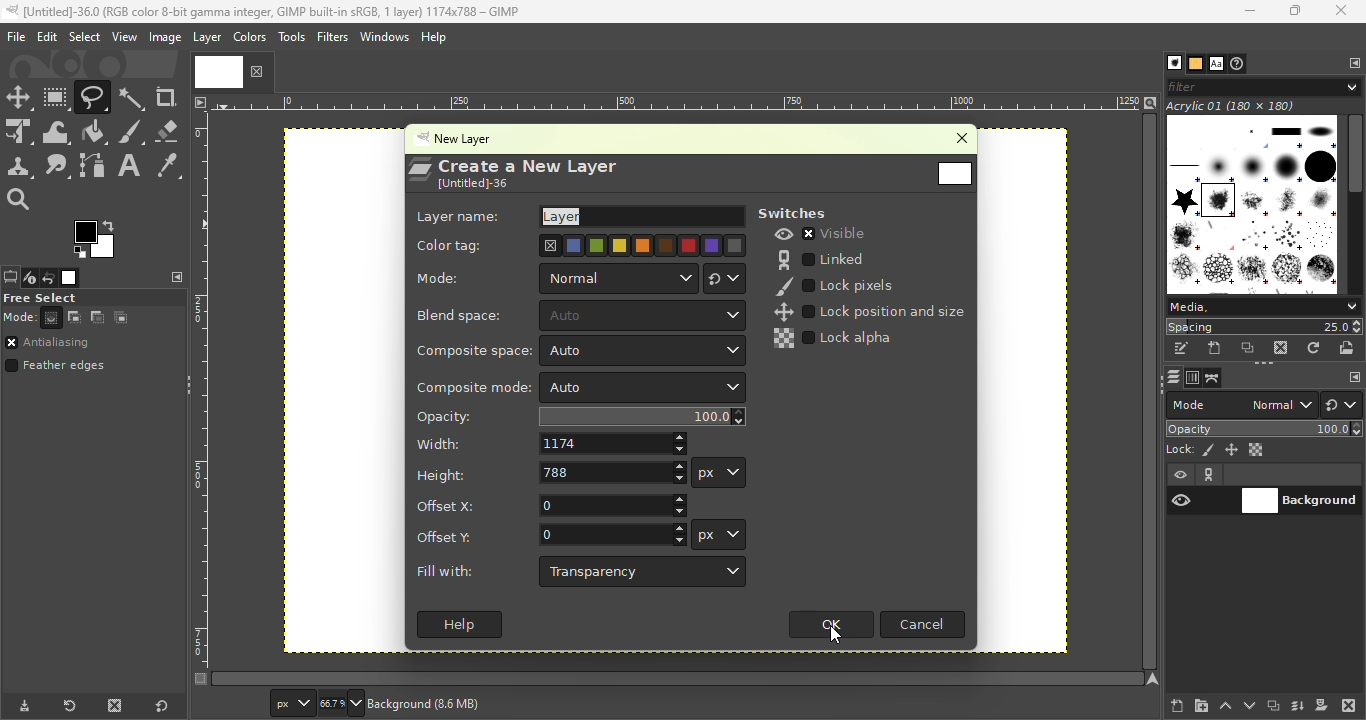  What do you see at coordinates (1247, 705) in the screenshot?
I see `Move this layer to the bottom of the layer stack` at bounding box center [1247, 705].